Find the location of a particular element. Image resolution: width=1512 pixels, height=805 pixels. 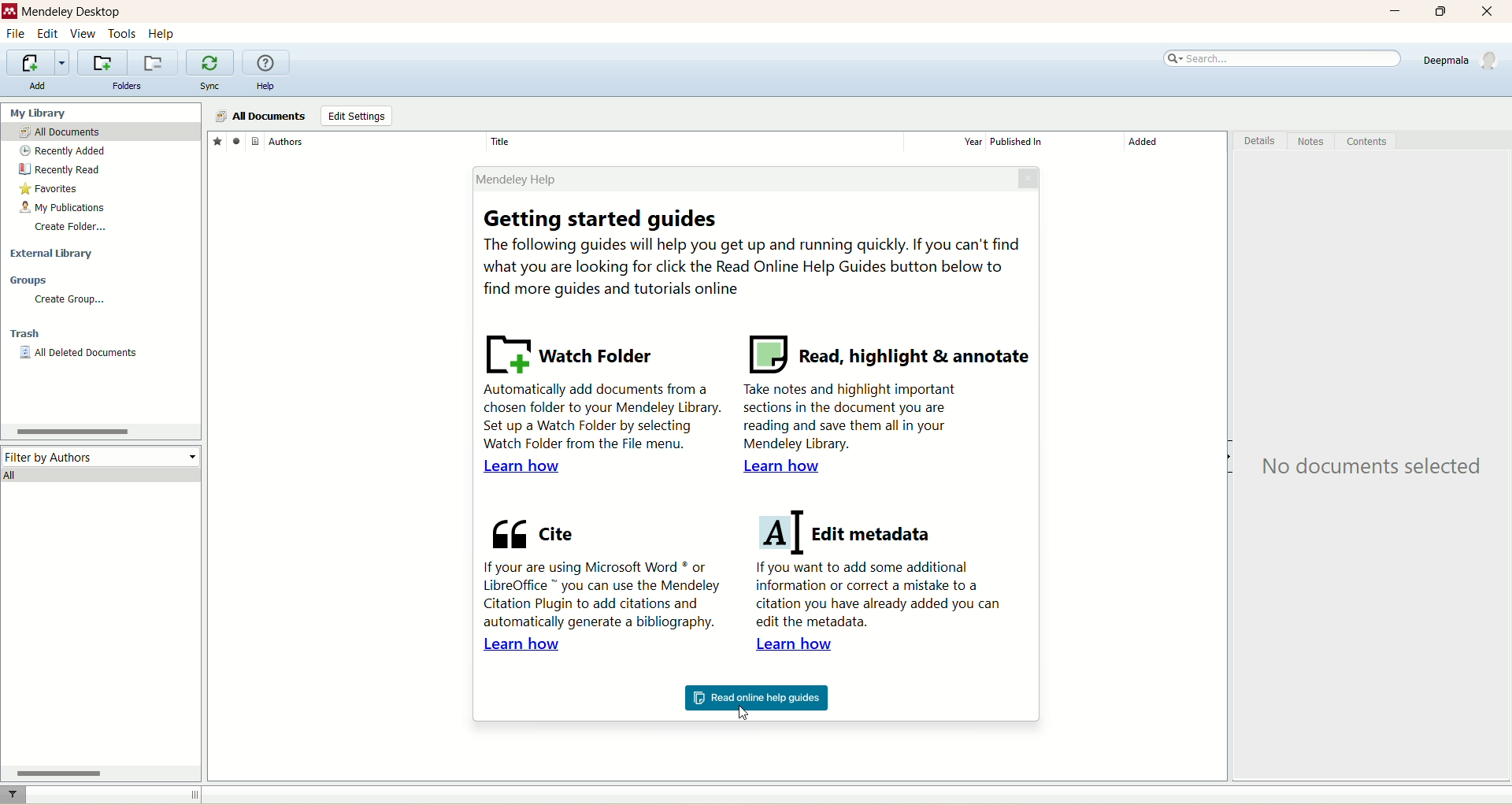

edit settings is located at coordinates (356, 115).